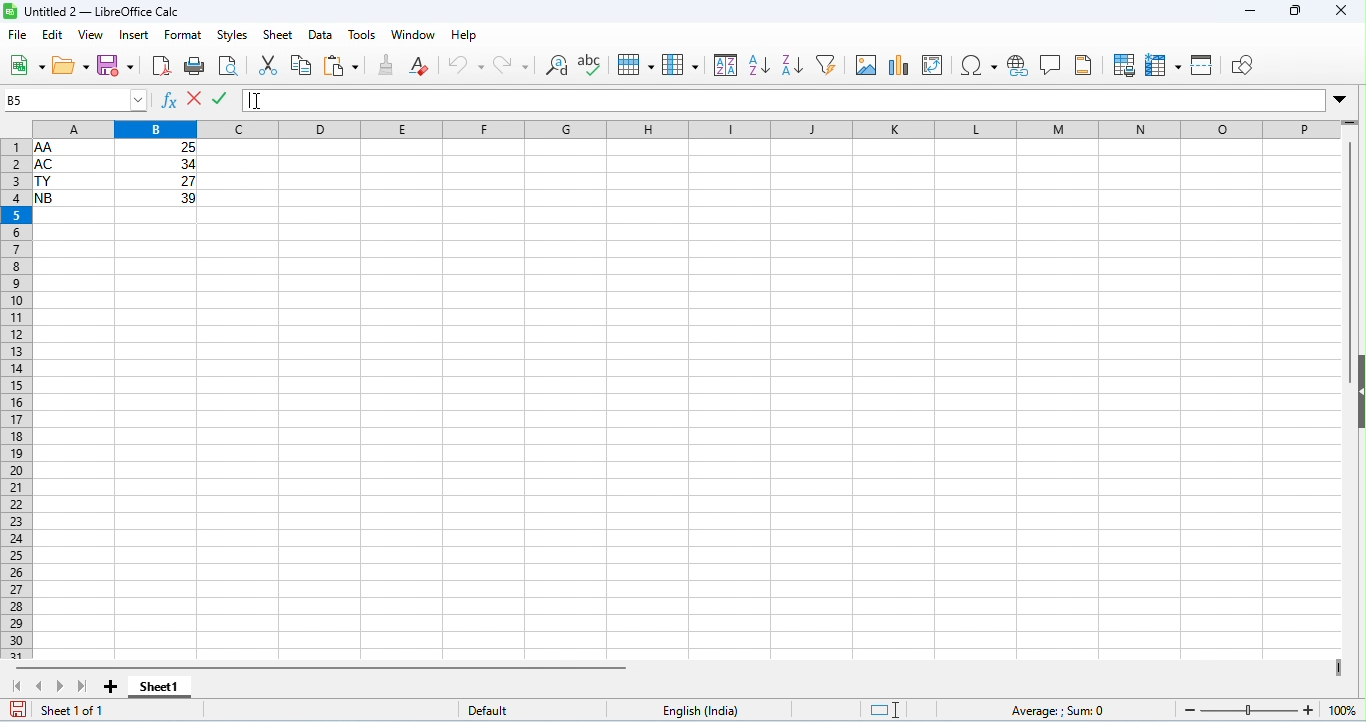  What do you see at coordinates (1339, 667) in the screenshot?
I see `drag to view next columns` at bounding box center [1339, 667].